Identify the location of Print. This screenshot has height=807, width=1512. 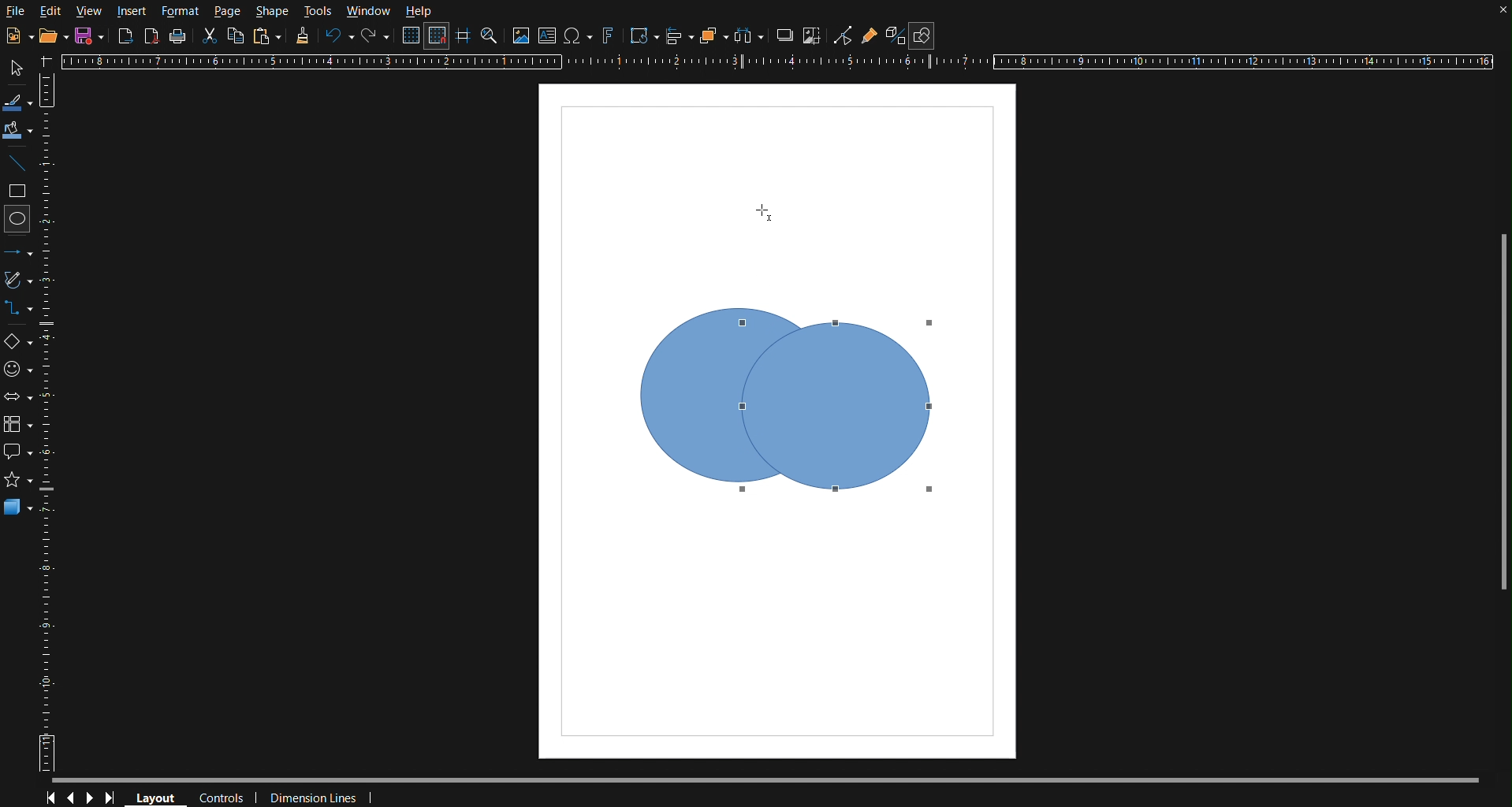
(180, 35).